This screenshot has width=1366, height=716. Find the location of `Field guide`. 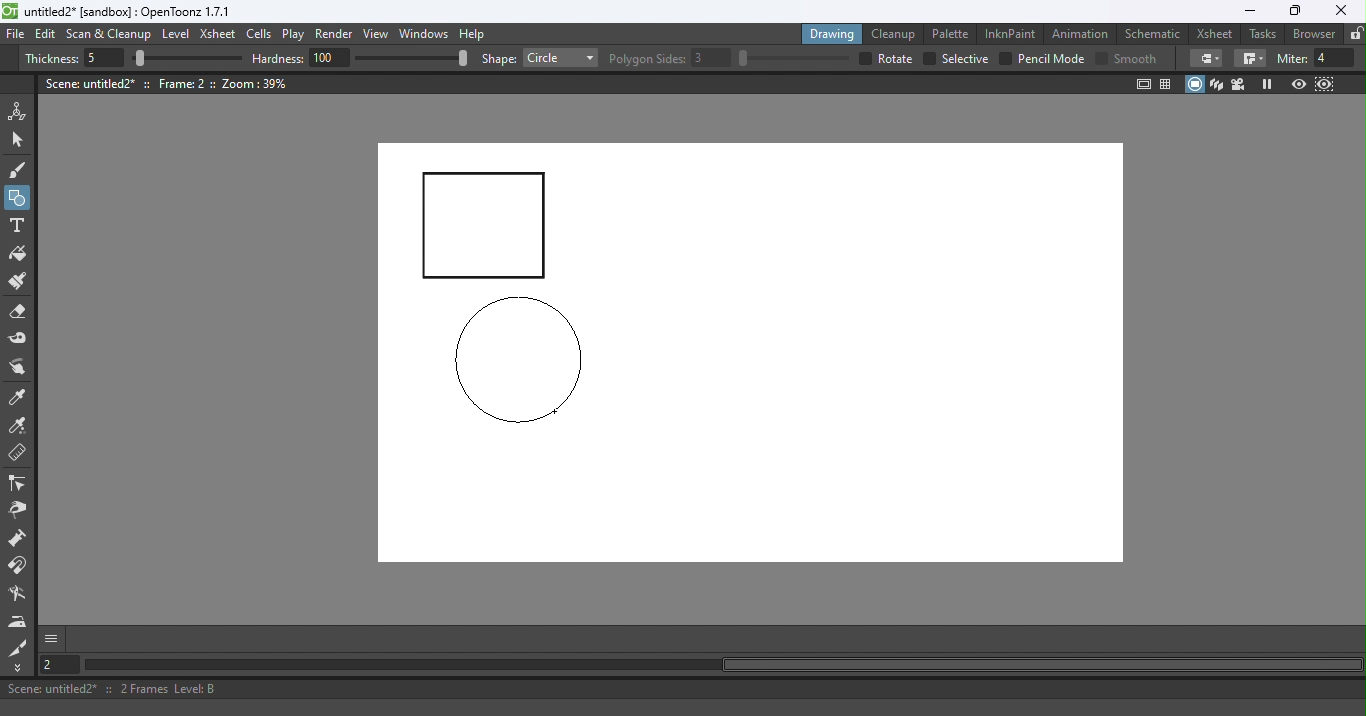

Field guide is located at coordinates (1169, 83).